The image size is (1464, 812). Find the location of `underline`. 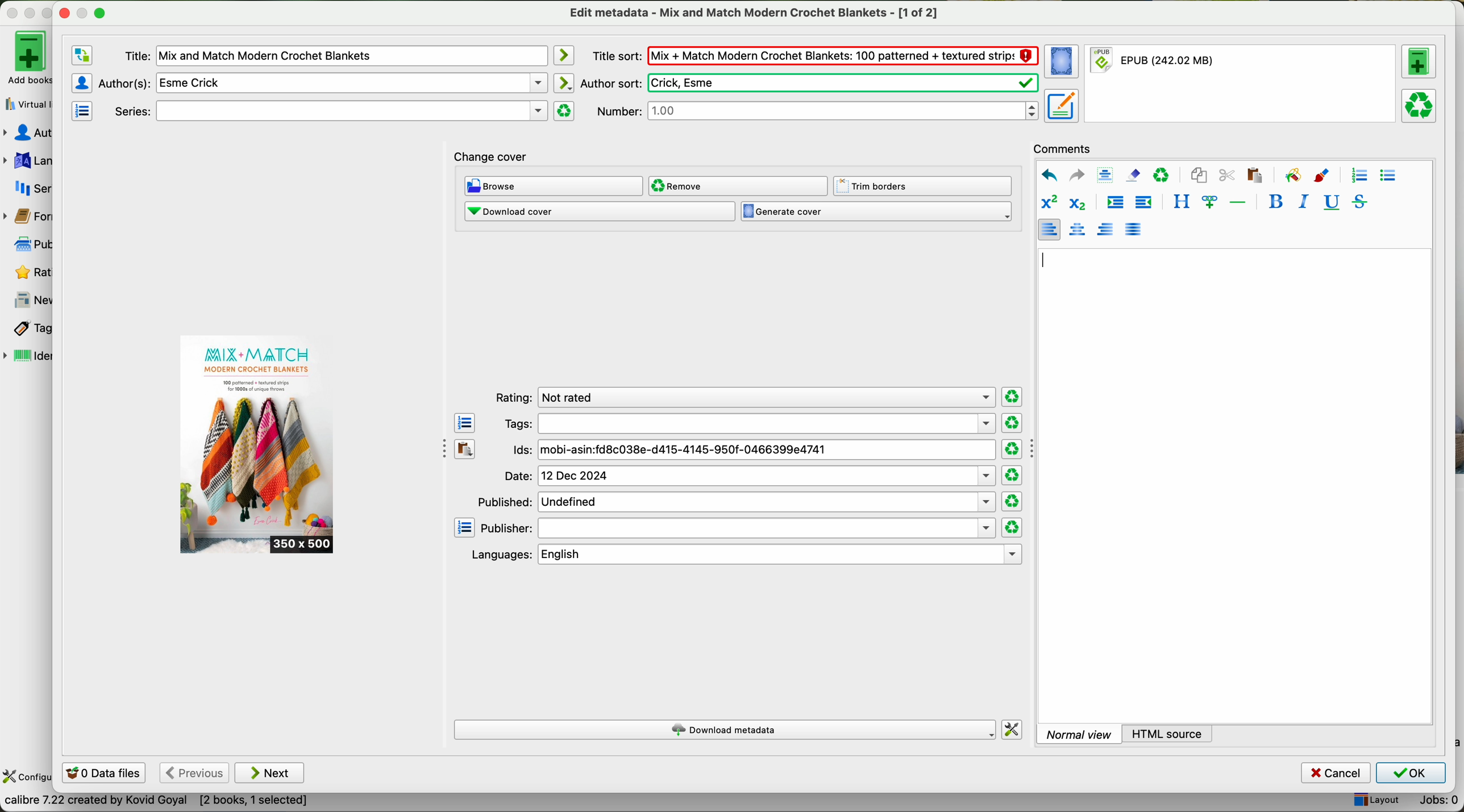

underline is located at coordinates (1330, 203).